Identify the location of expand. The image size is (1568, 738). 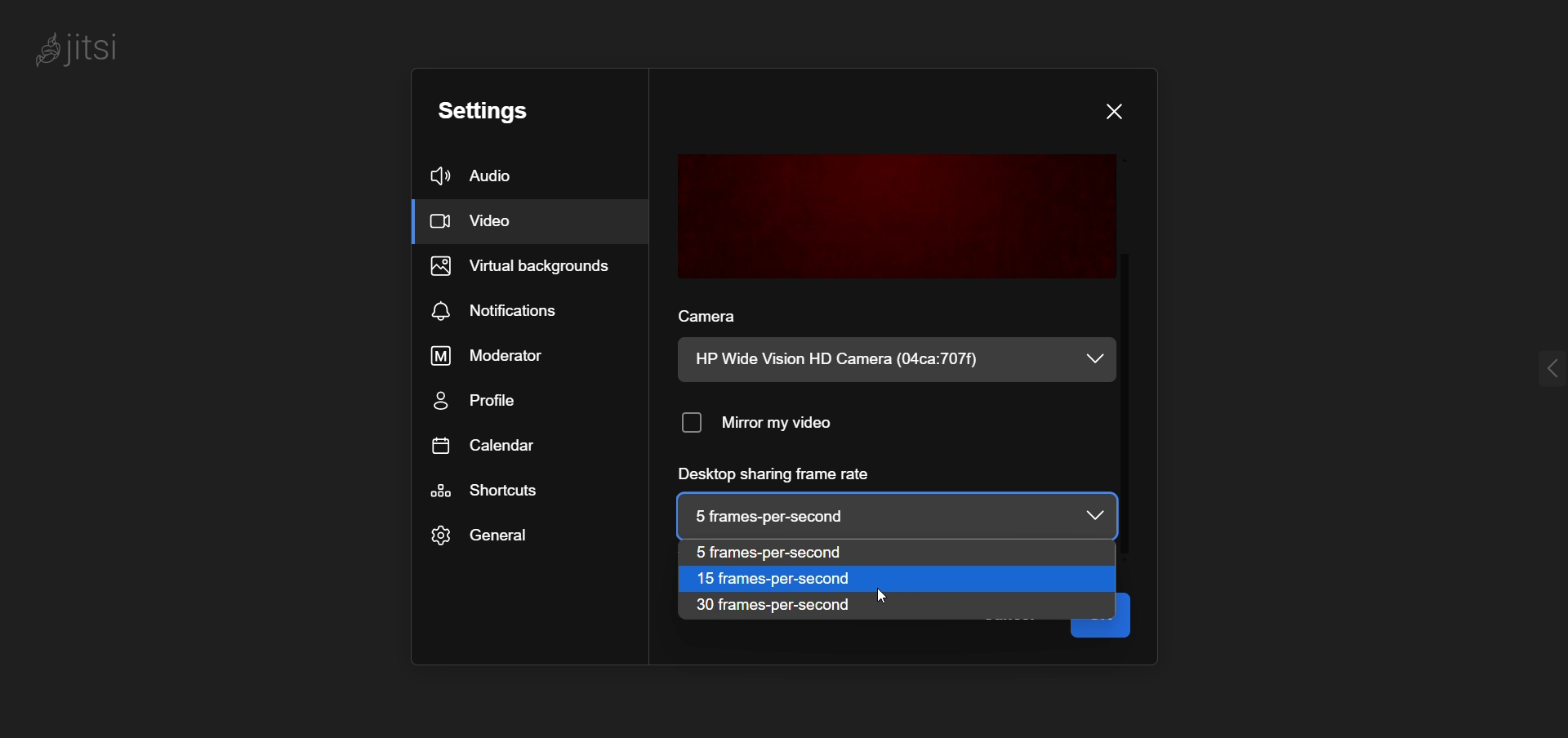
(1526, 367).